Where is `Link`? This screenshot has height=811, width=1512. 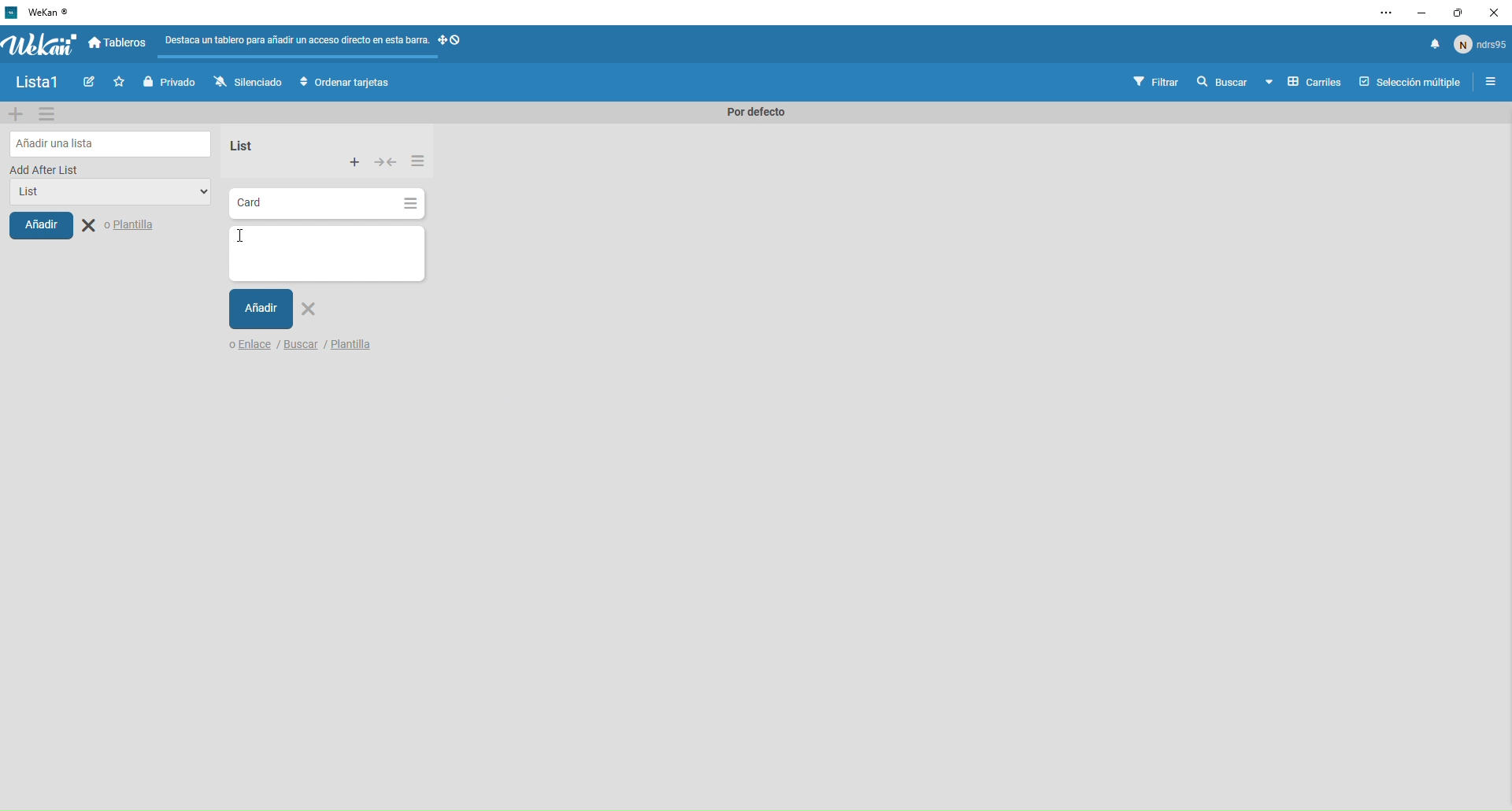
Link is located at coordinates (249, 346).